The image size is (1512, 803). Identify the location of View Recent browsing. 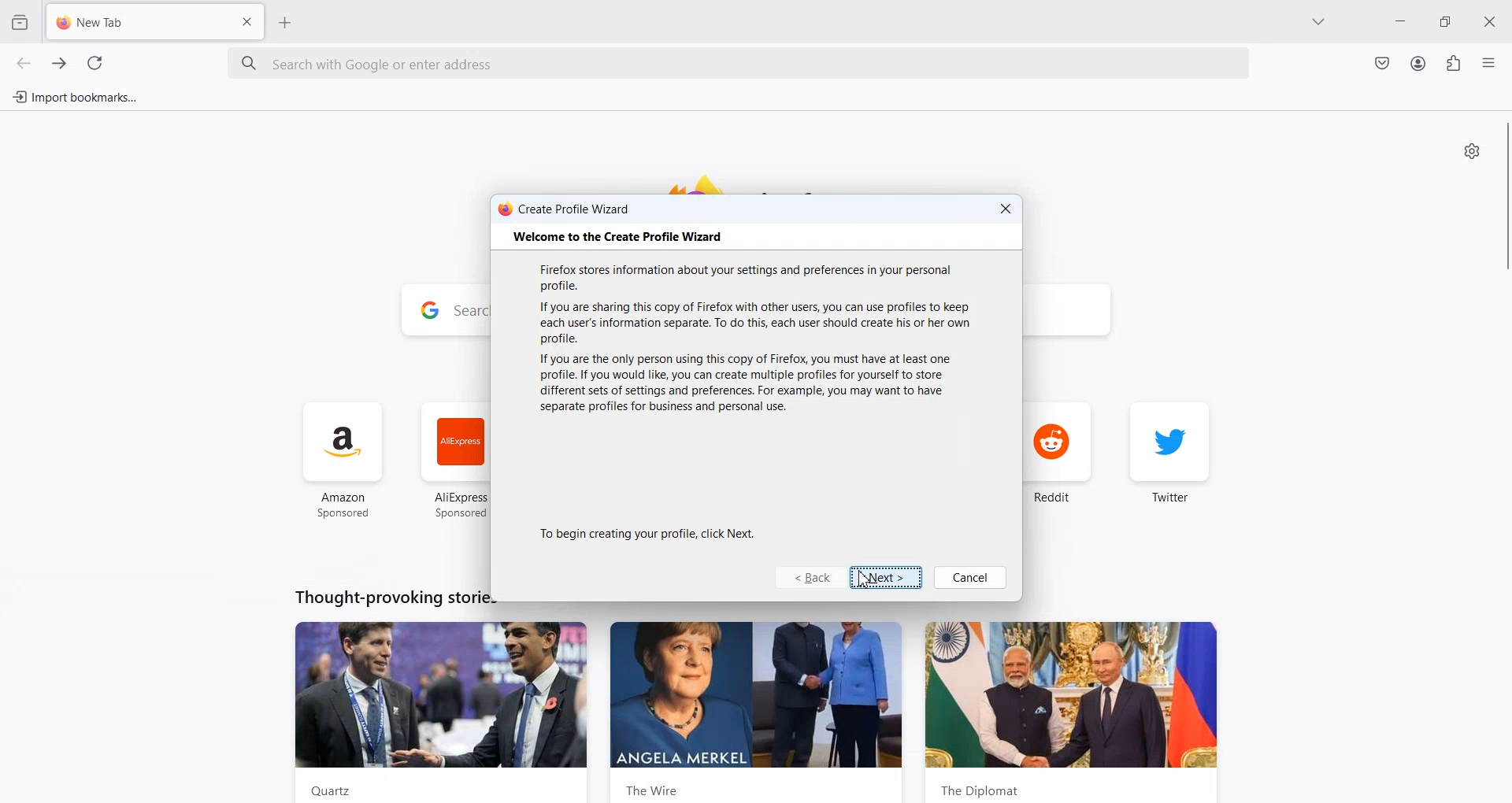
(20, 21).